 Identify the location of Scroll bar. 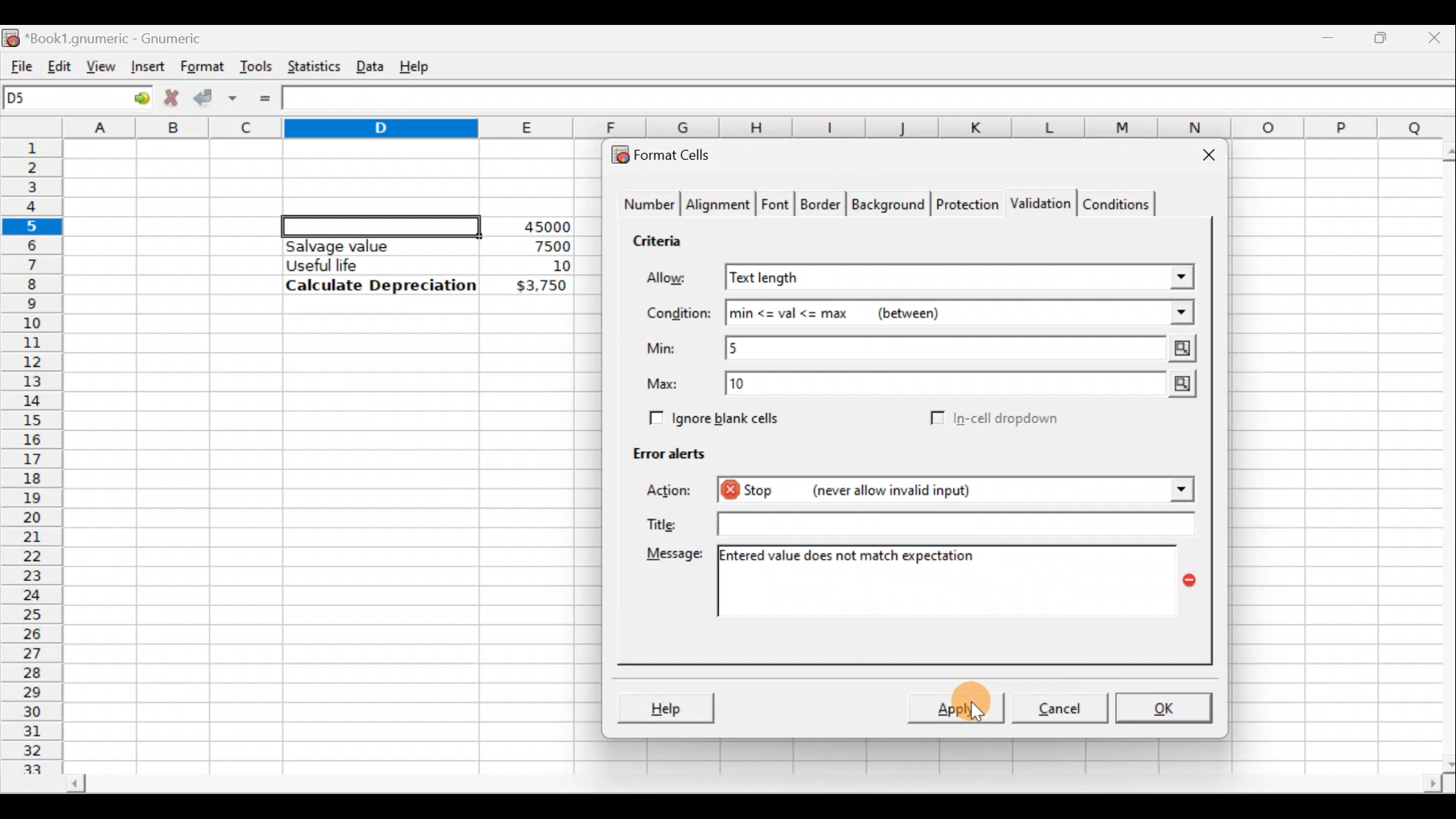
(1439, 454).